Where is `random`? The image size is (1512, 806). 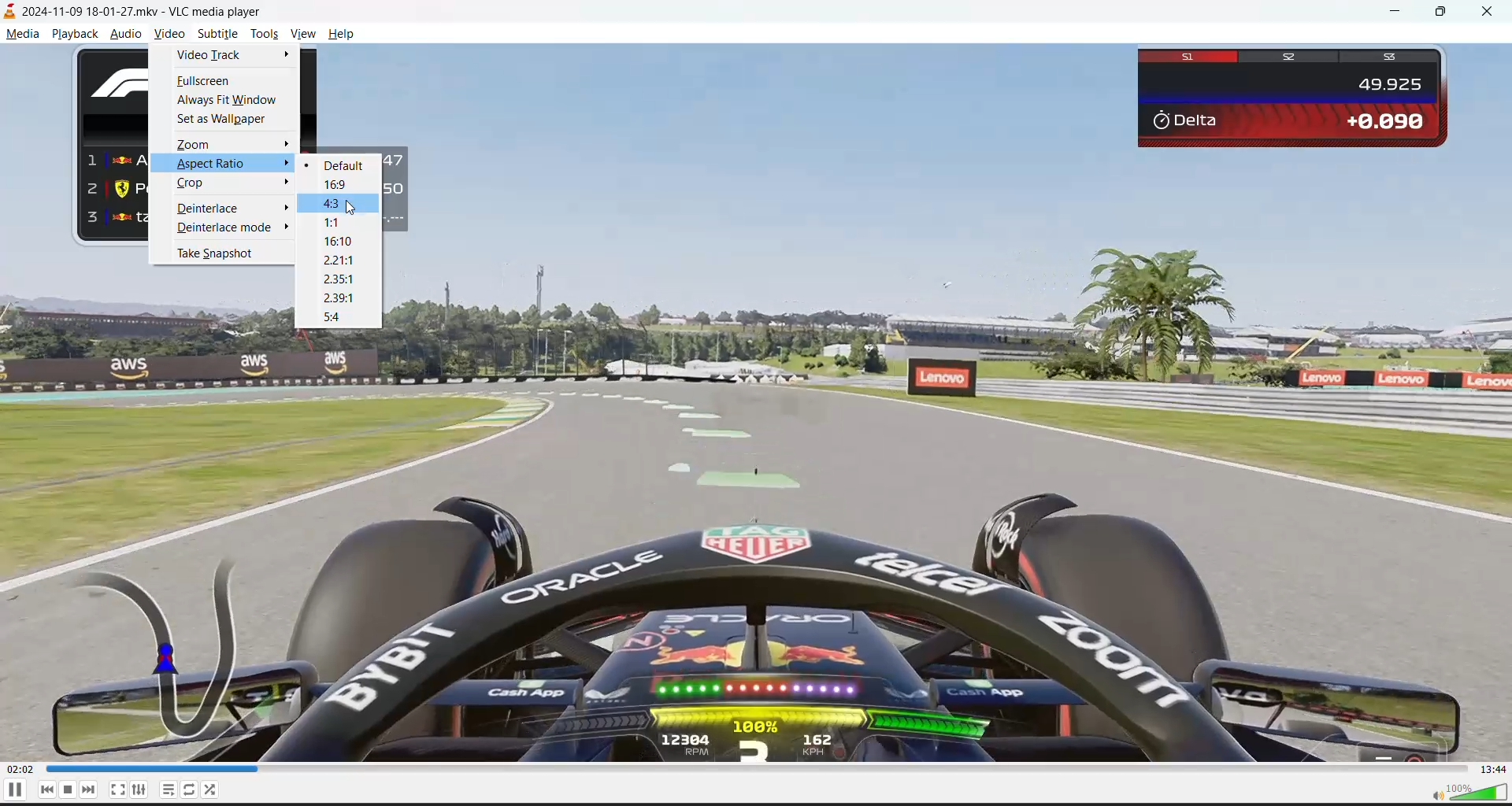
random is located at coordinates (215, 790).